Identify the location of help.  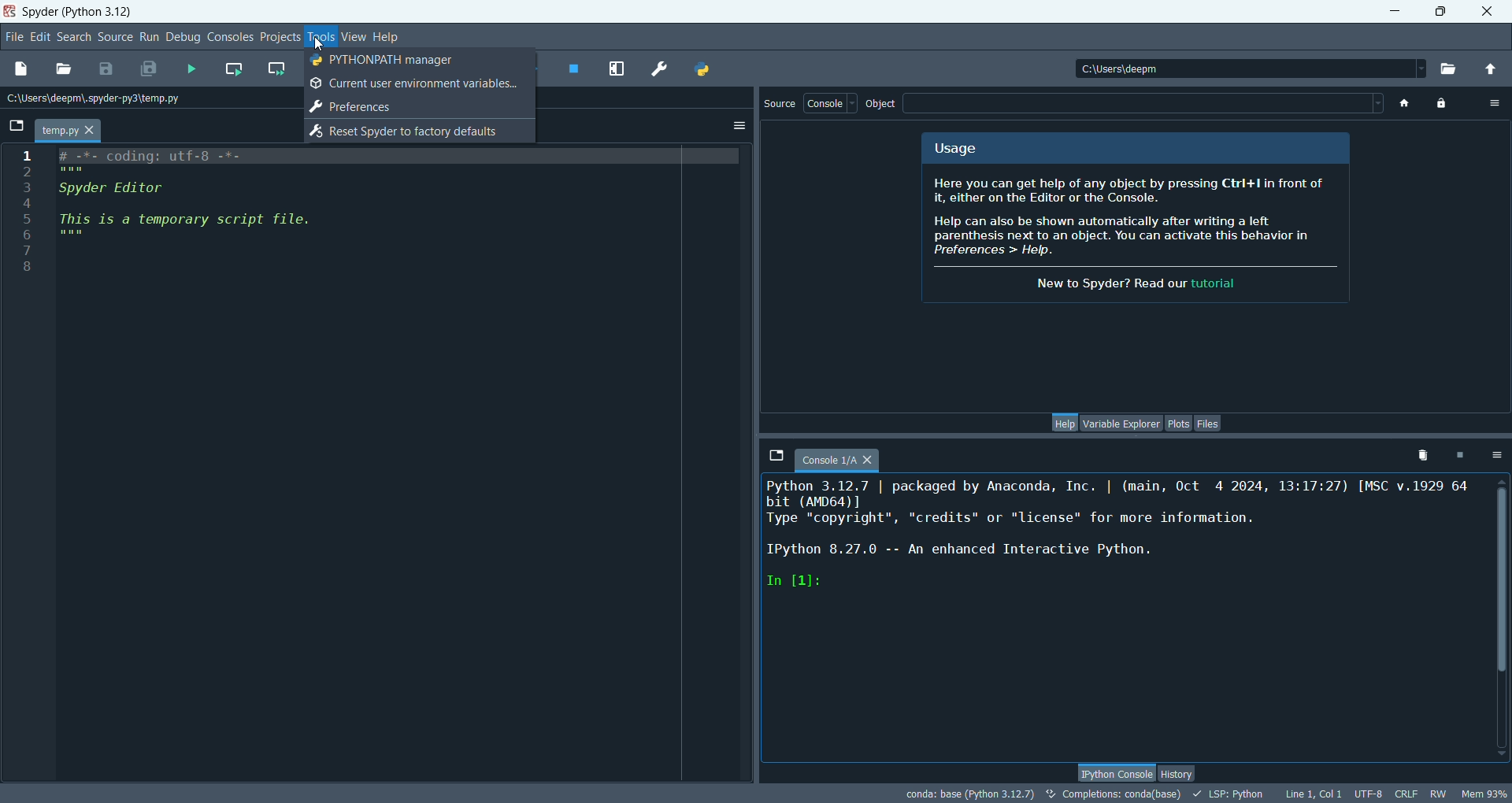
(1065, 423).